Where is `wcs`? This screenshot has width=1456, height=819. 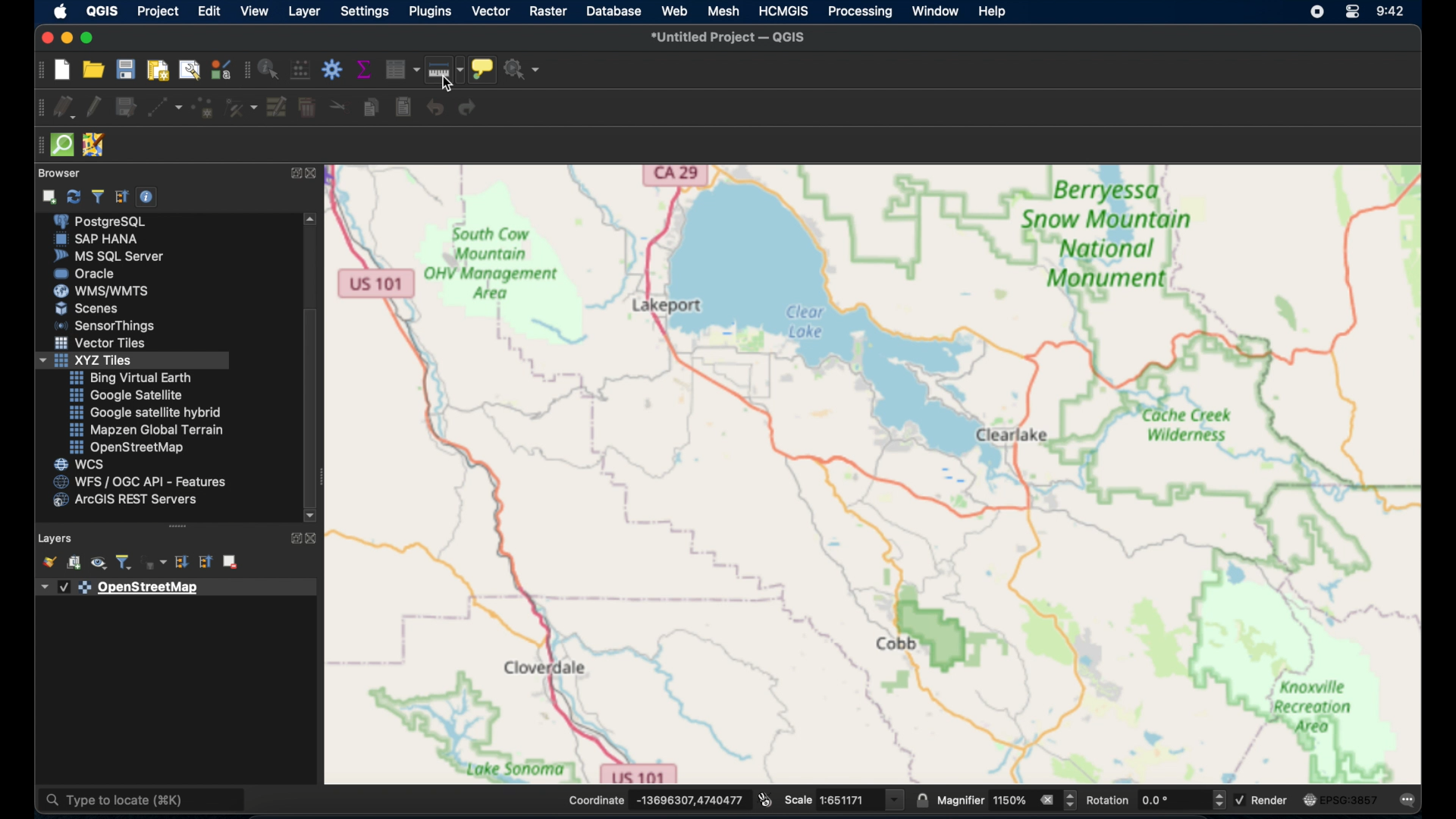 wcs is located at coordinates (80, 464).